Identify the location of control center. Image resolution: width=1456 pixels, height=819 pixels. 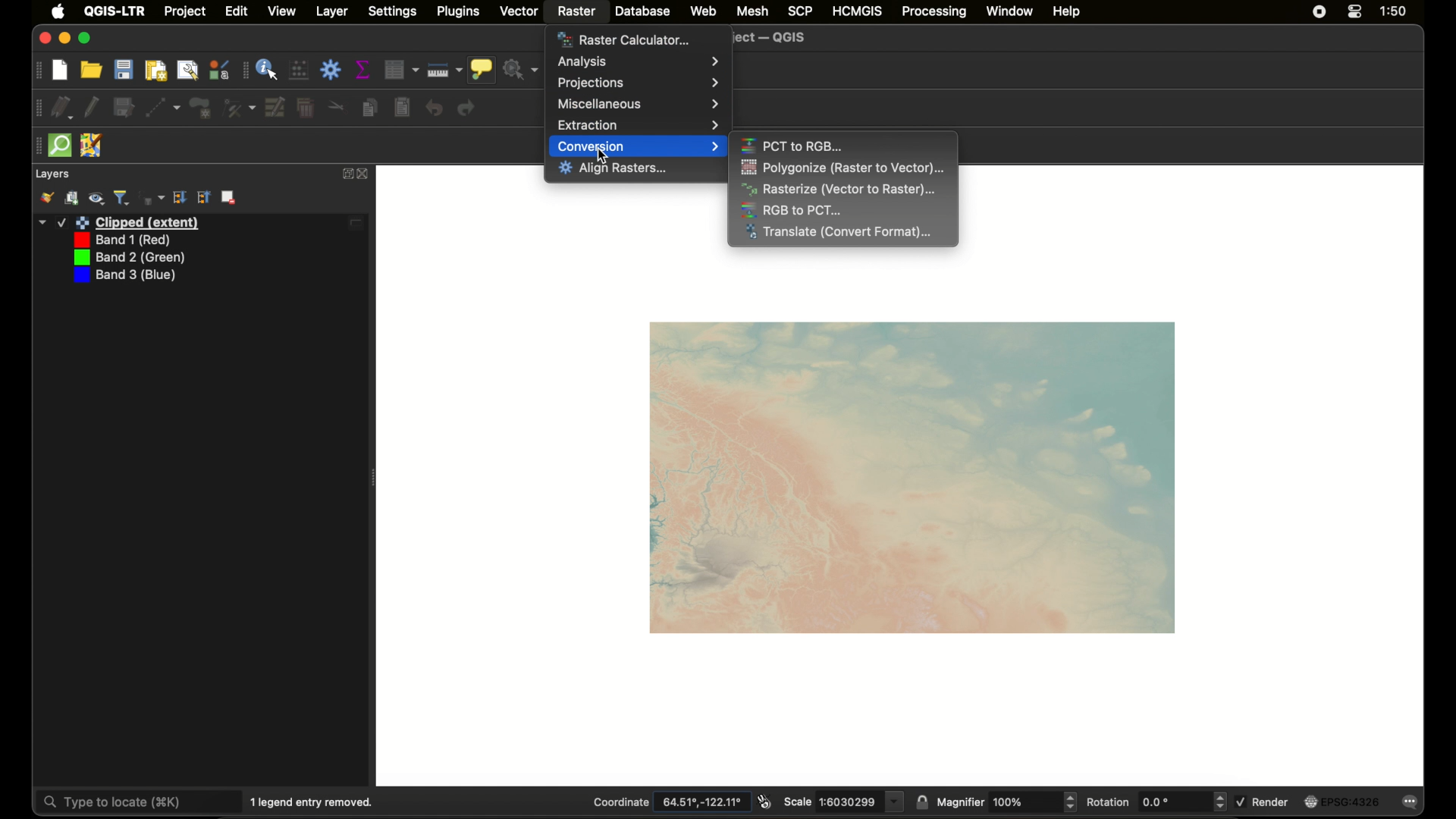
(1355, 12).